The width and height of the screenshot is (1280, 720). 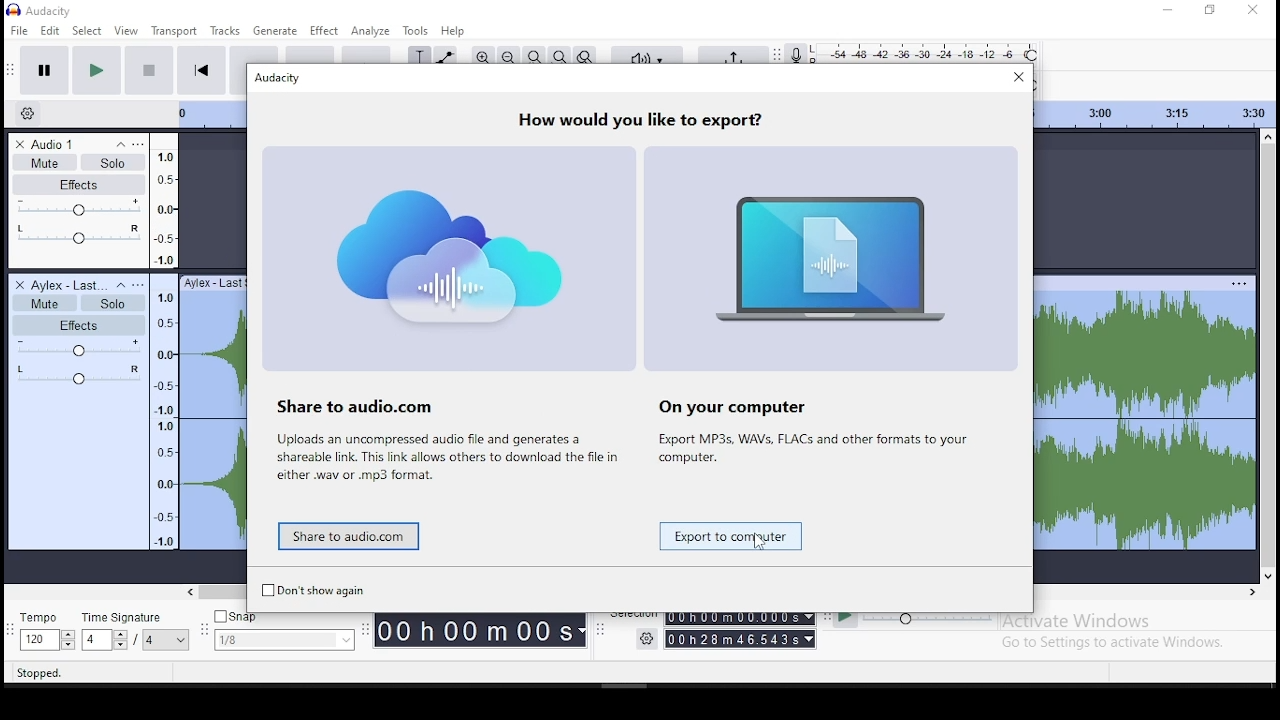 What do you see at coordinates (43, 11) in the screenshot?
I see `icon` at bounding box center [43, 11].